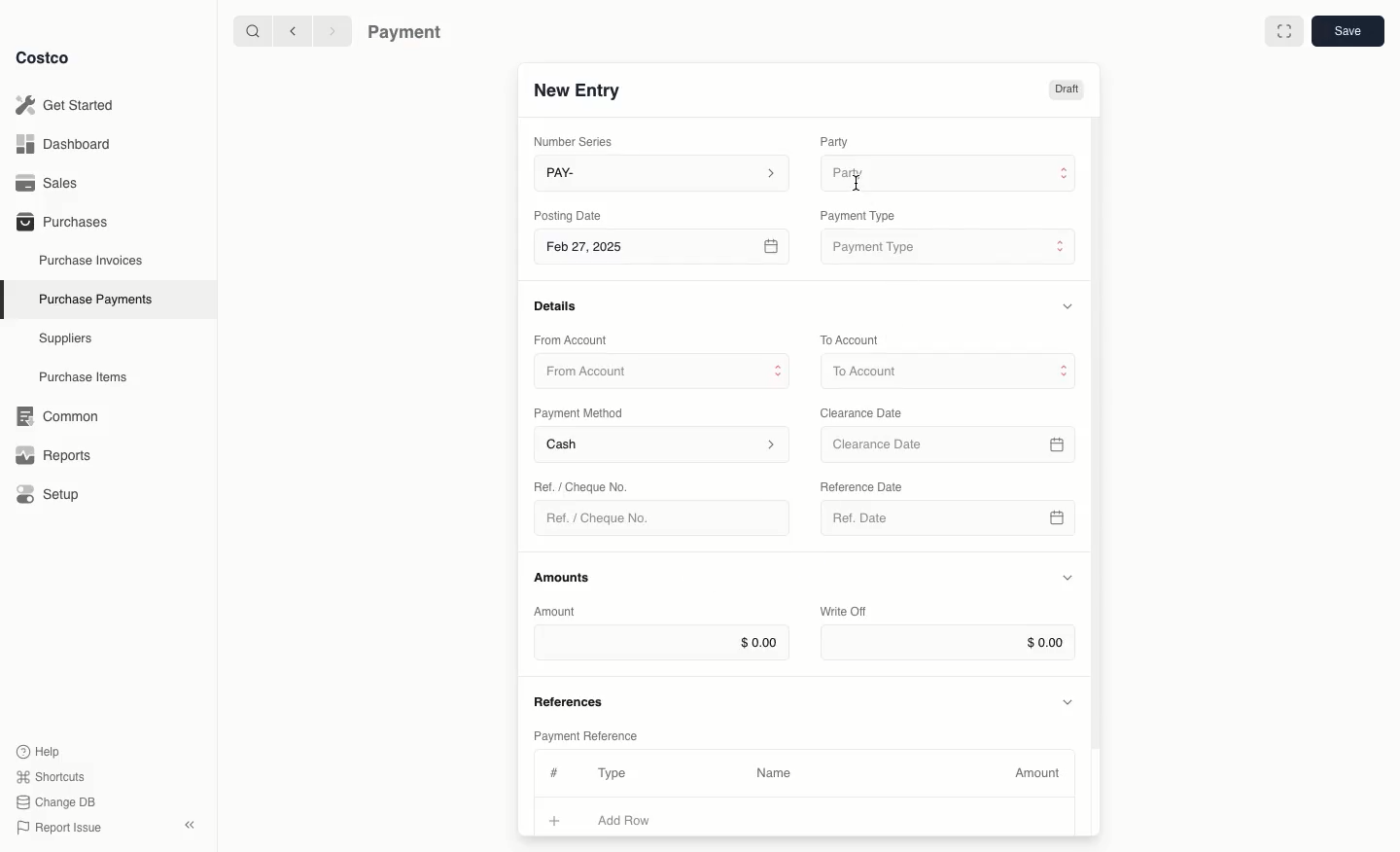 This screenshot has width=1400, height=852. What do you see at coordinates (1347, 30) in the screenshot?
I see `Save` at bounding box center [1347, 30].